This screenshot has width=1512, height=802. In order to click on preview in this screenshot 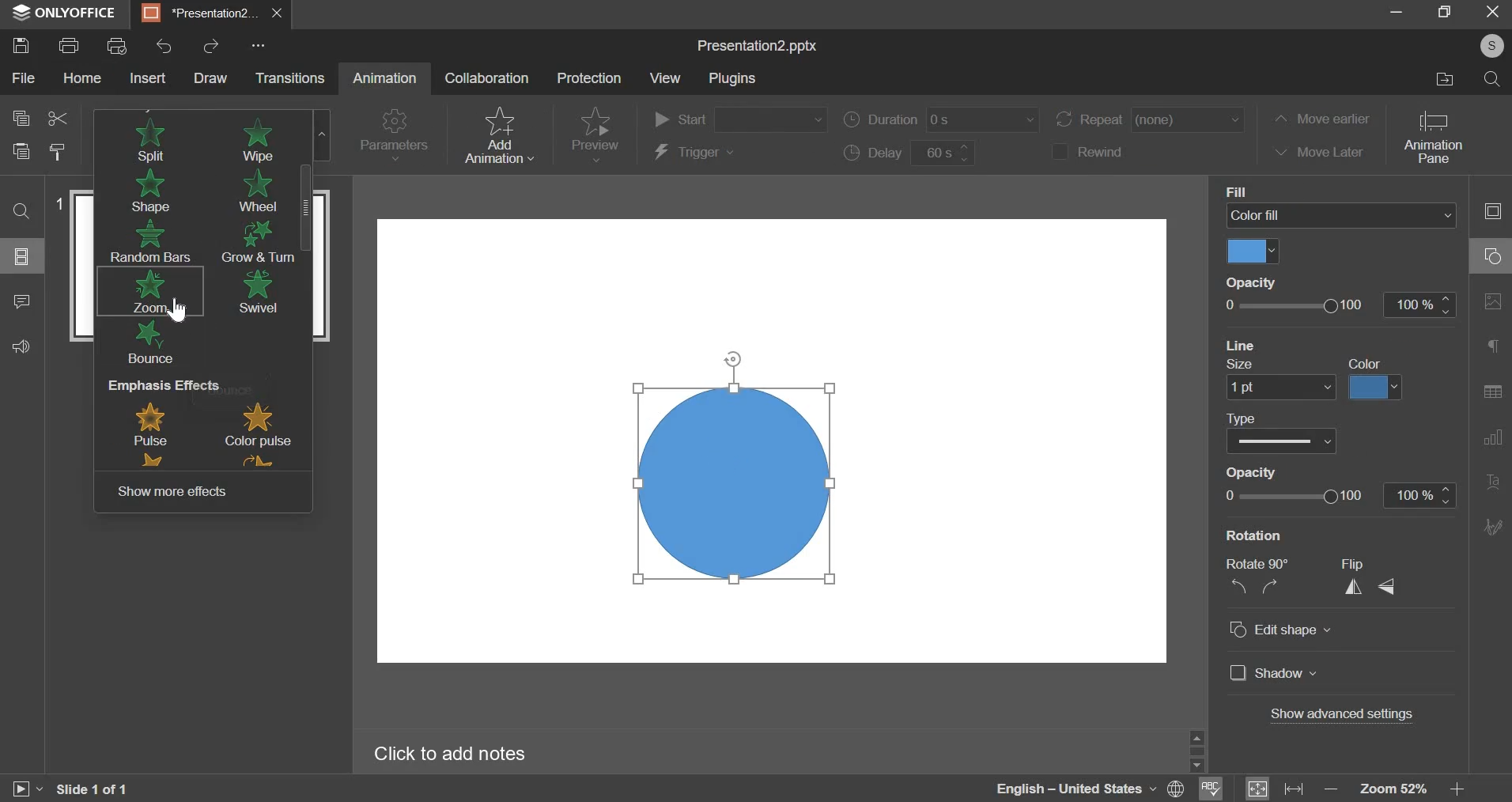, I will do `click(595, 133)`.